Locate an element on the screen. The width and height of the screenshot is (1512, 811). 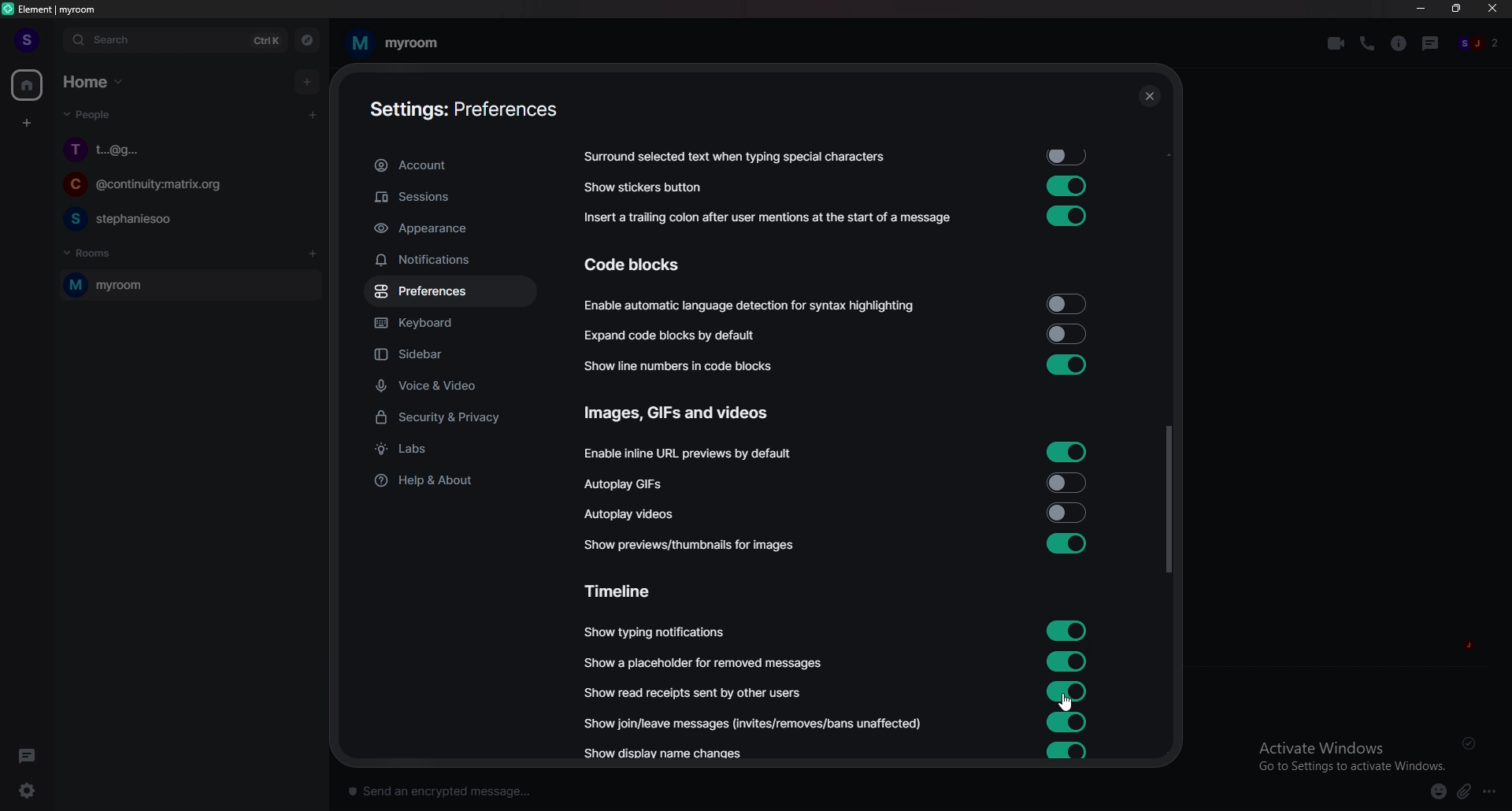
labs is located at coordinates (452, 450).